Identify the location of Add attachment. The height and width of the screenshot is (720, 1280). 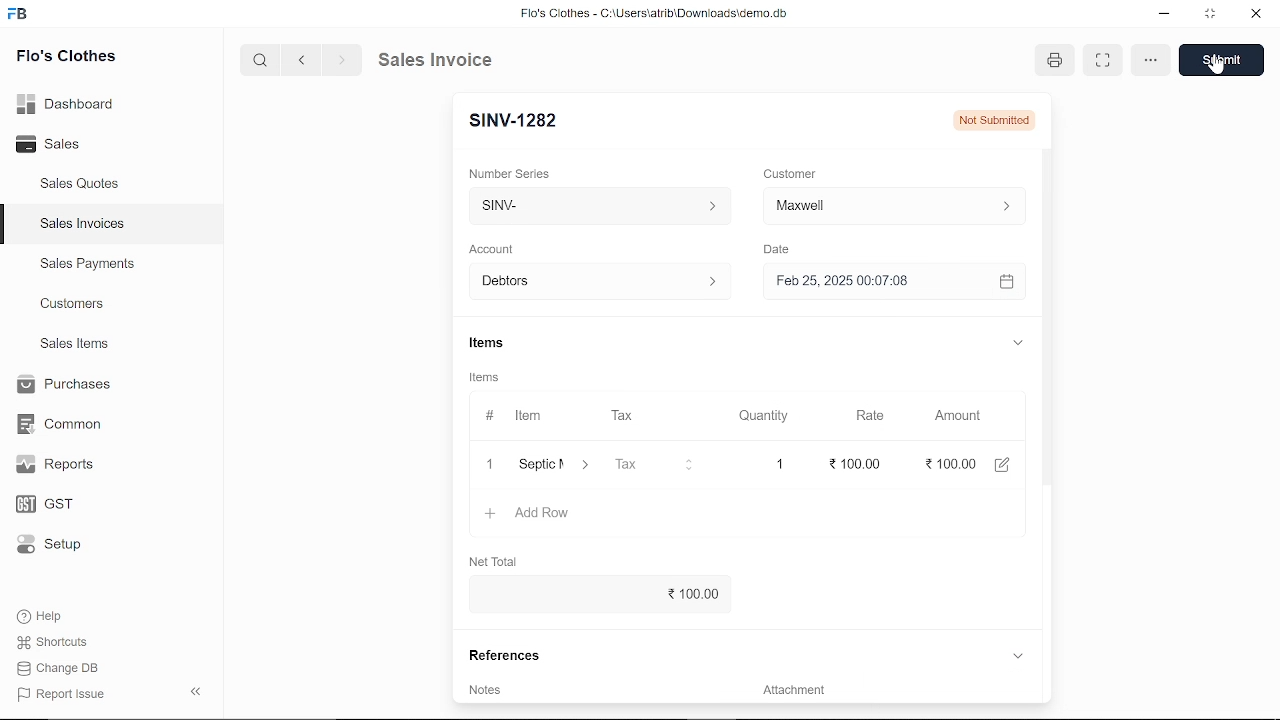
(886, 693).